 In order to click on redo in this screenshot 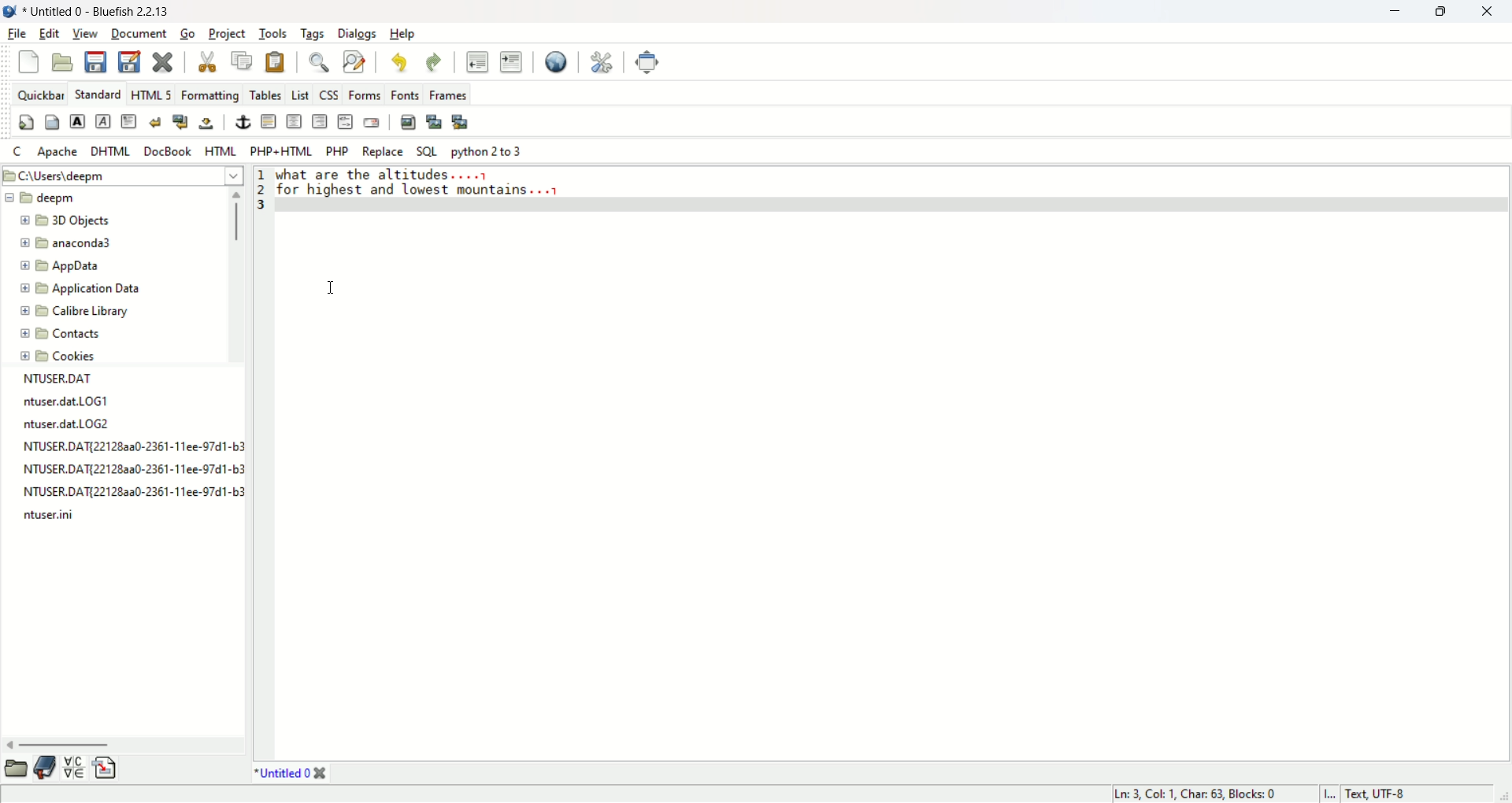, I will do `click(435, 61)`.